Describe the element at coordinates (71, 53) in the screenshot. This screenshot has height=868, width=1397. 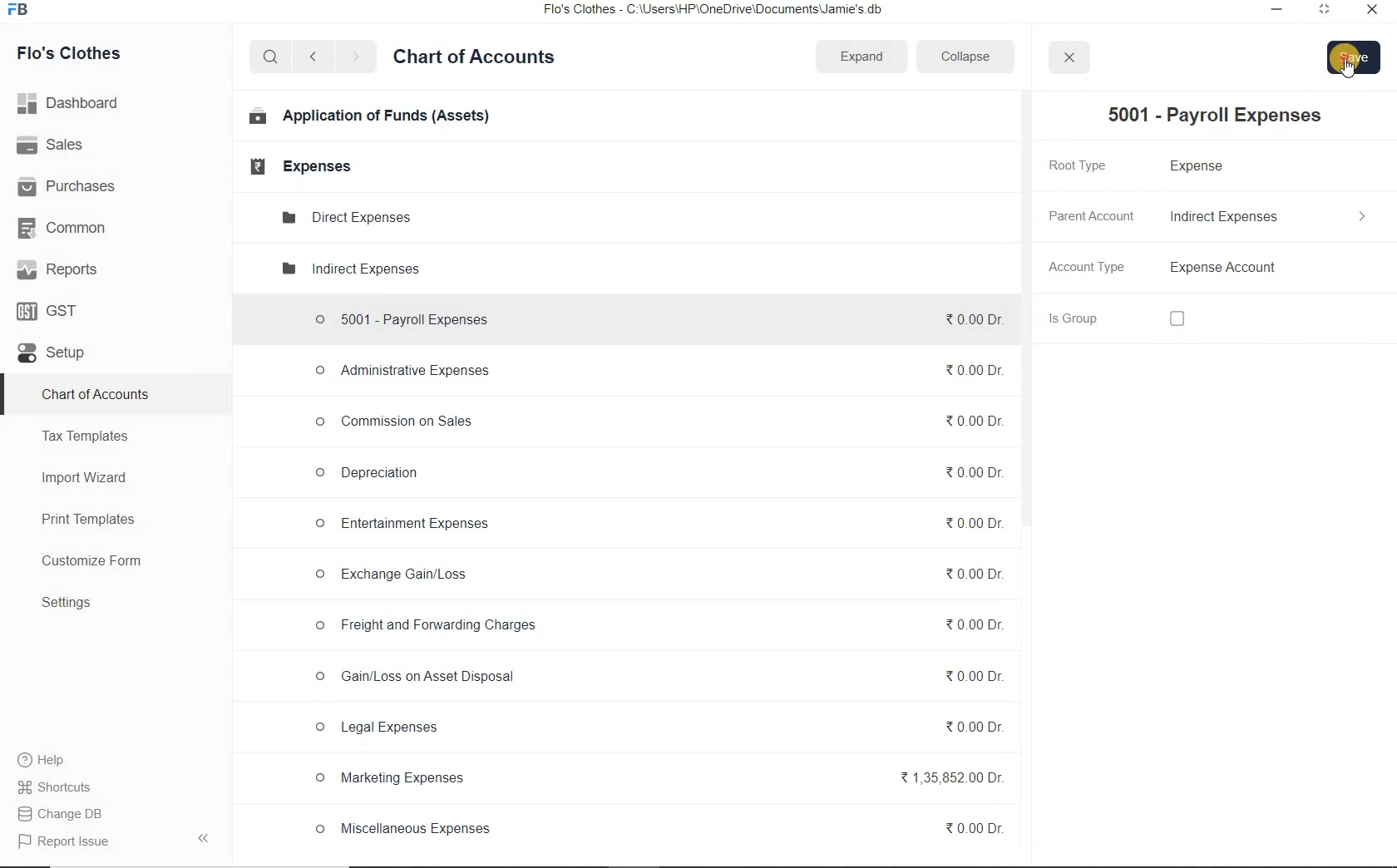
I see `Flo's Clothes` at that location.